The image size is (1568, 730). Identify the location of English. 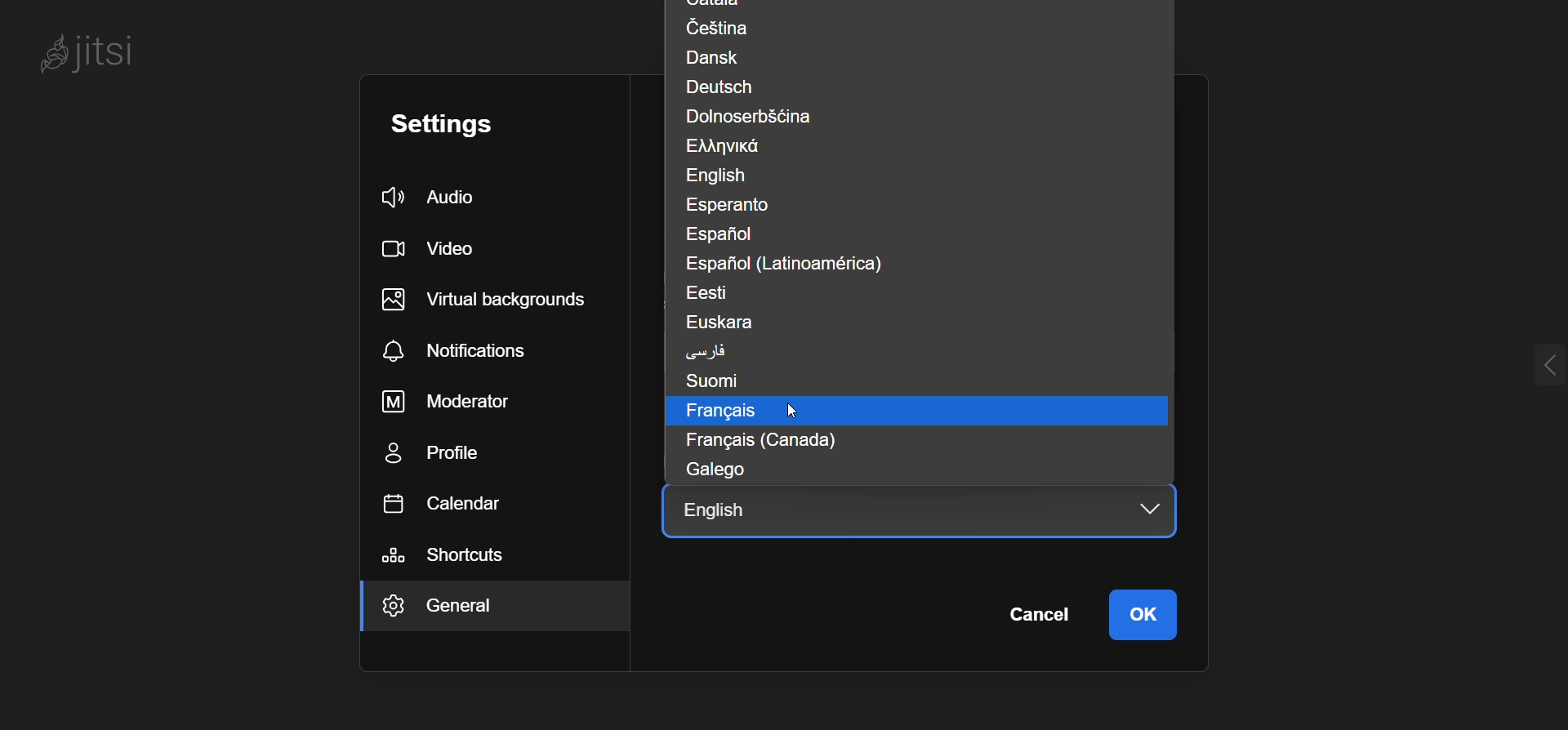
(722, 514).